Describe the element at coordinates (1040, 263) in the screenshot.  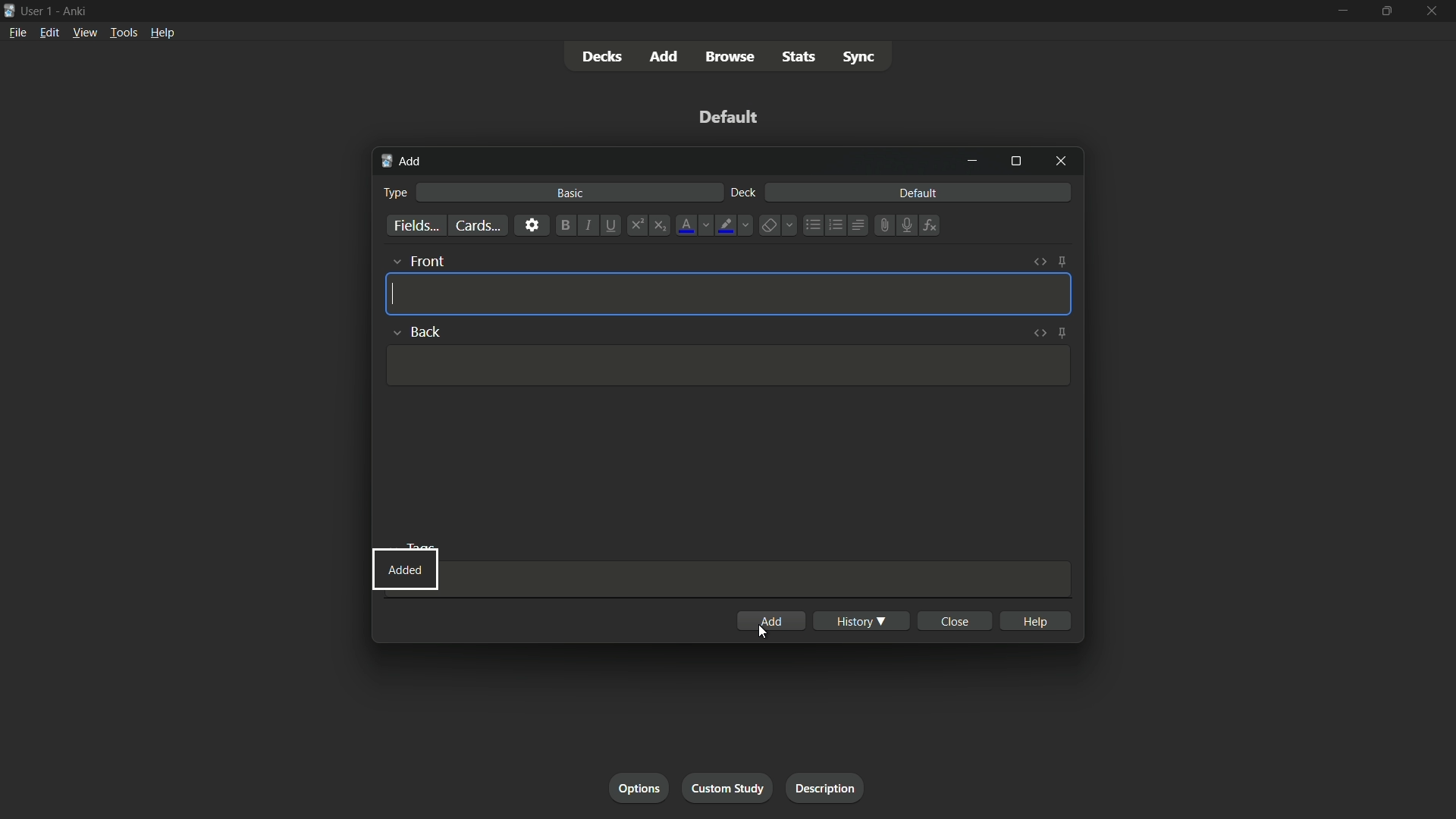
I see `toggle html editor` at that location.